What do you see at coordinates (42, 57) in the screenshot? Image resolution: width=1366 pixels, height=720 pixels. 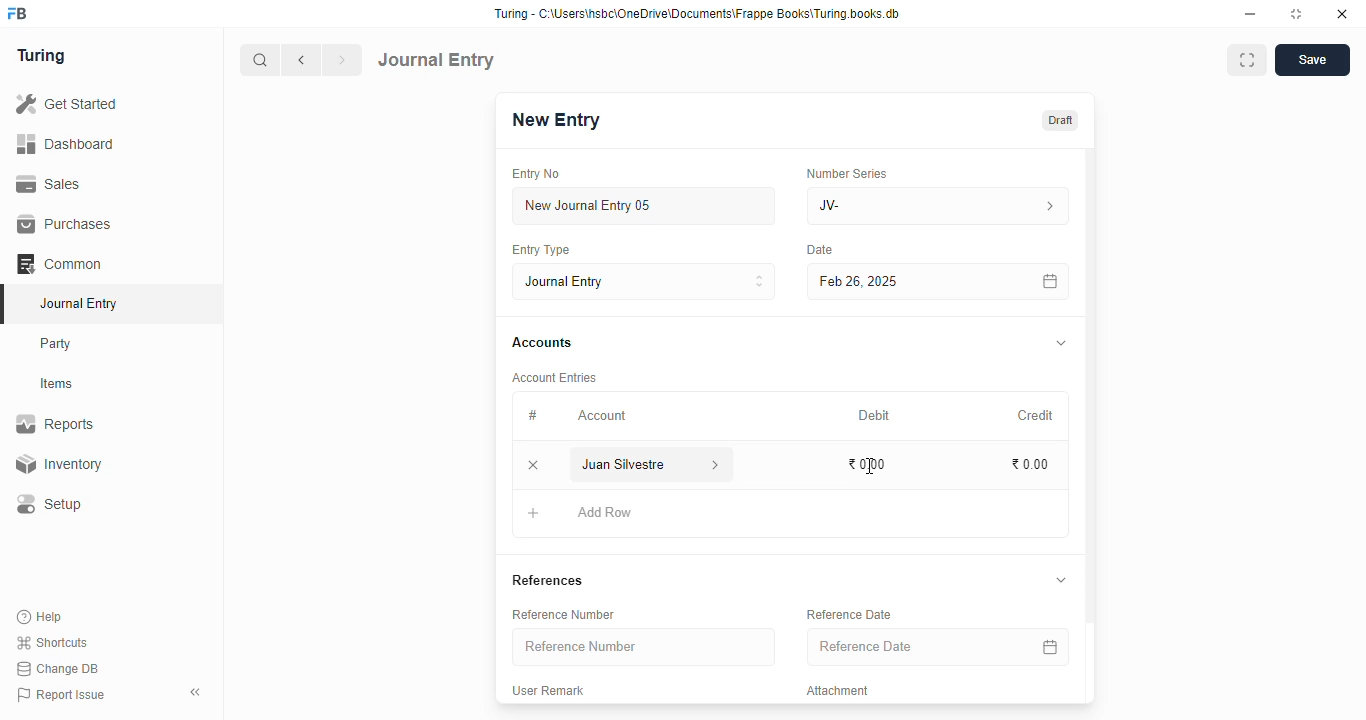 I see `turing` at bounding box center [42, 57].